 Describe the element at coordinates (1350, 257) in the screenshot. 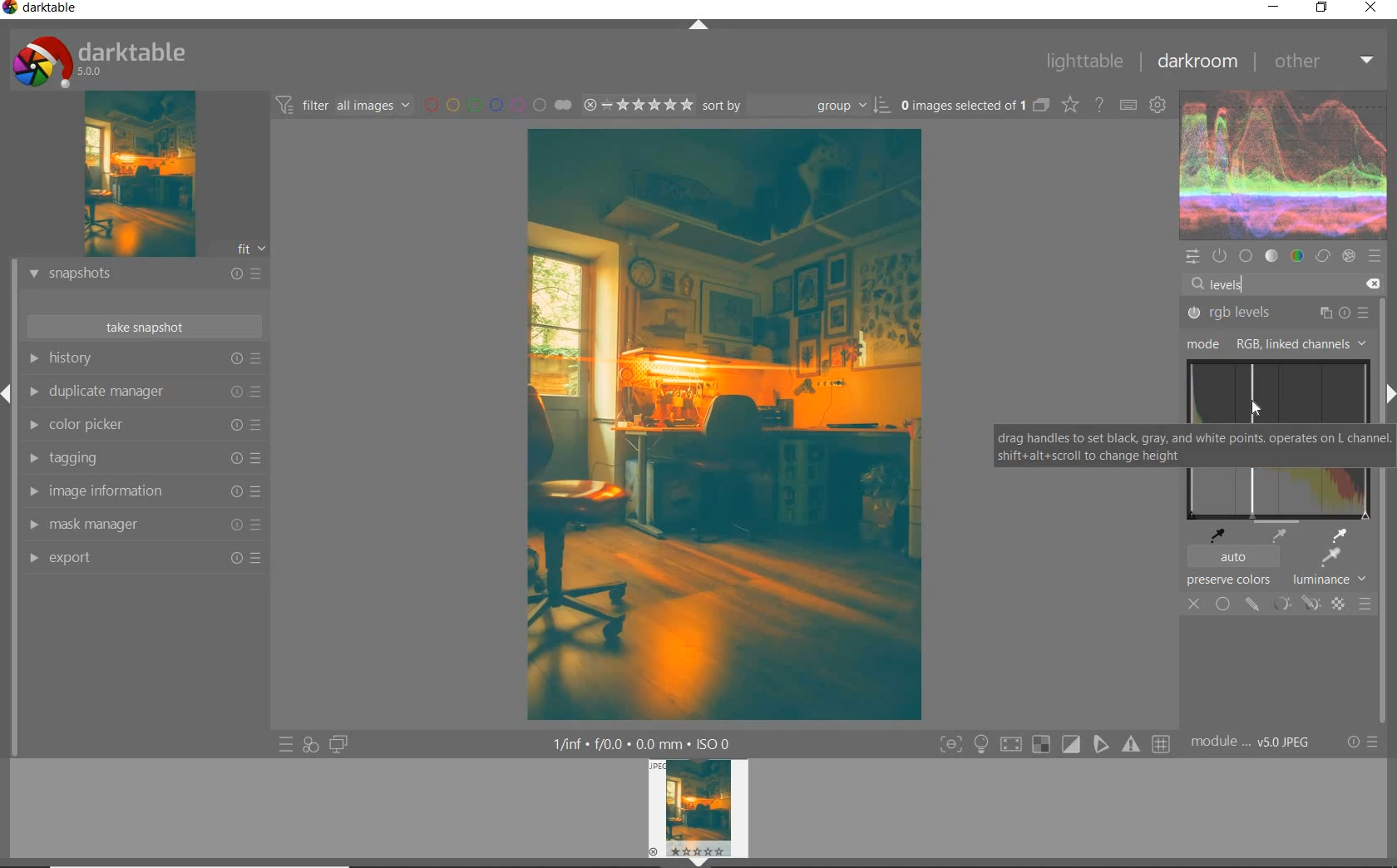

I see `effect` at that location.